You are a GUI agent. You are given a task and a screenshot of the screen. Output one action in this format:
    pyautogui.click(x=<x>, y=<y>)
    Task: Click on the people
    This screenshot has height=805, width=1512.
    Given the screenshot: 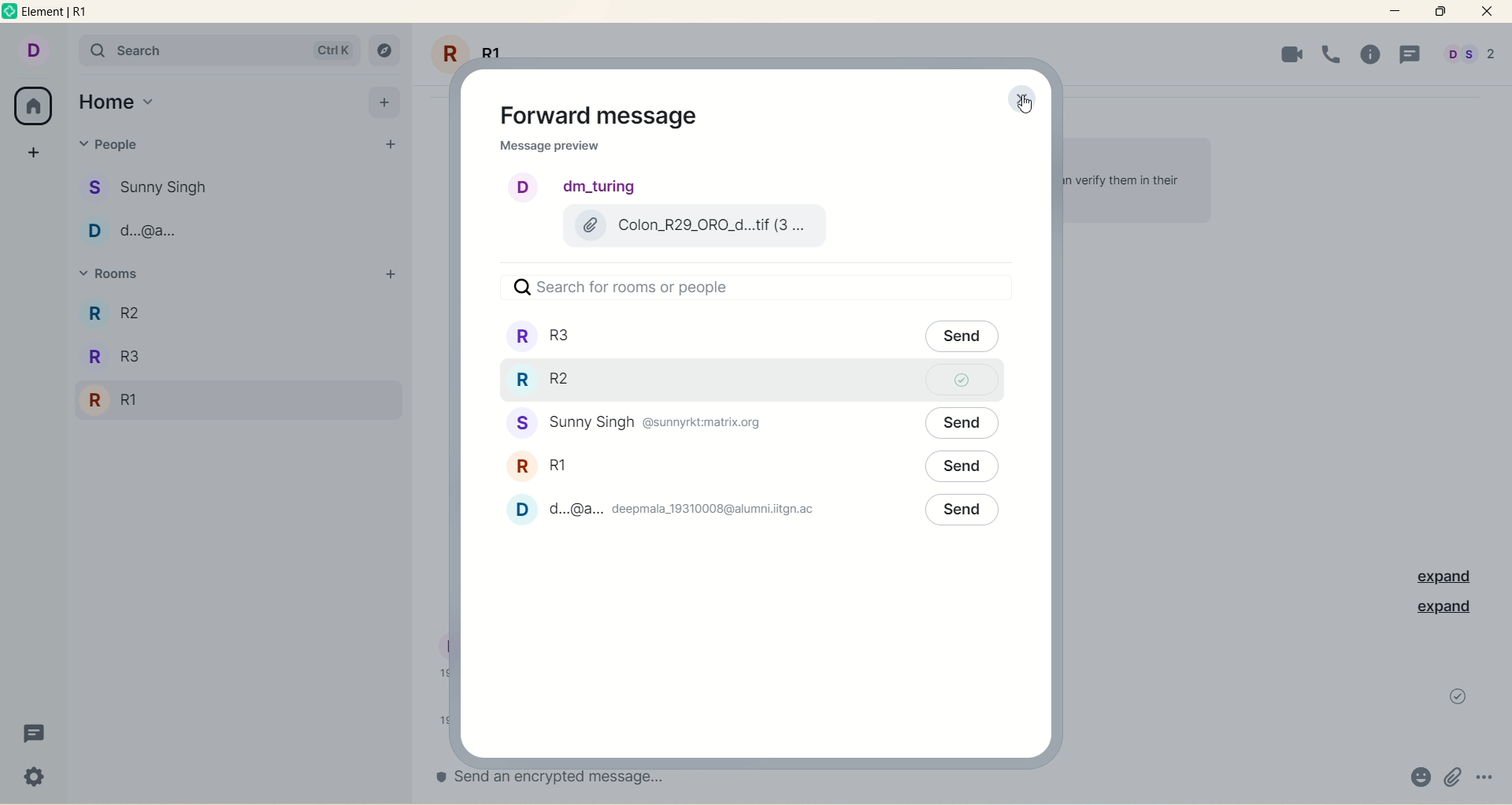 What is the action you would take?
    pyautogui.click(x=157, y=184)
    